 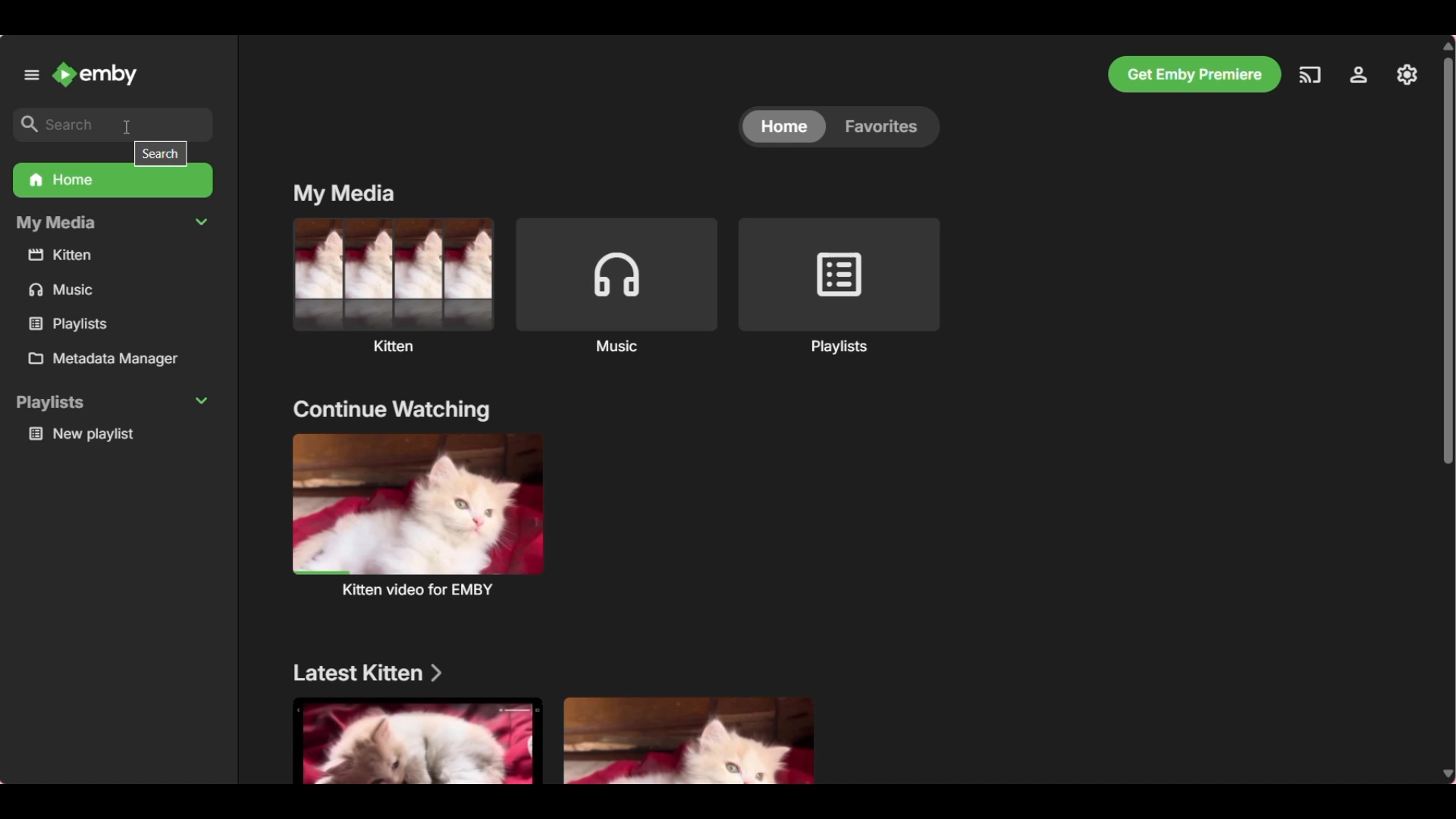 What do you see at coordinates (1194, 74) in the screenshot?
I see `Get Emby Premiere` at bounding box center [1194, 74].